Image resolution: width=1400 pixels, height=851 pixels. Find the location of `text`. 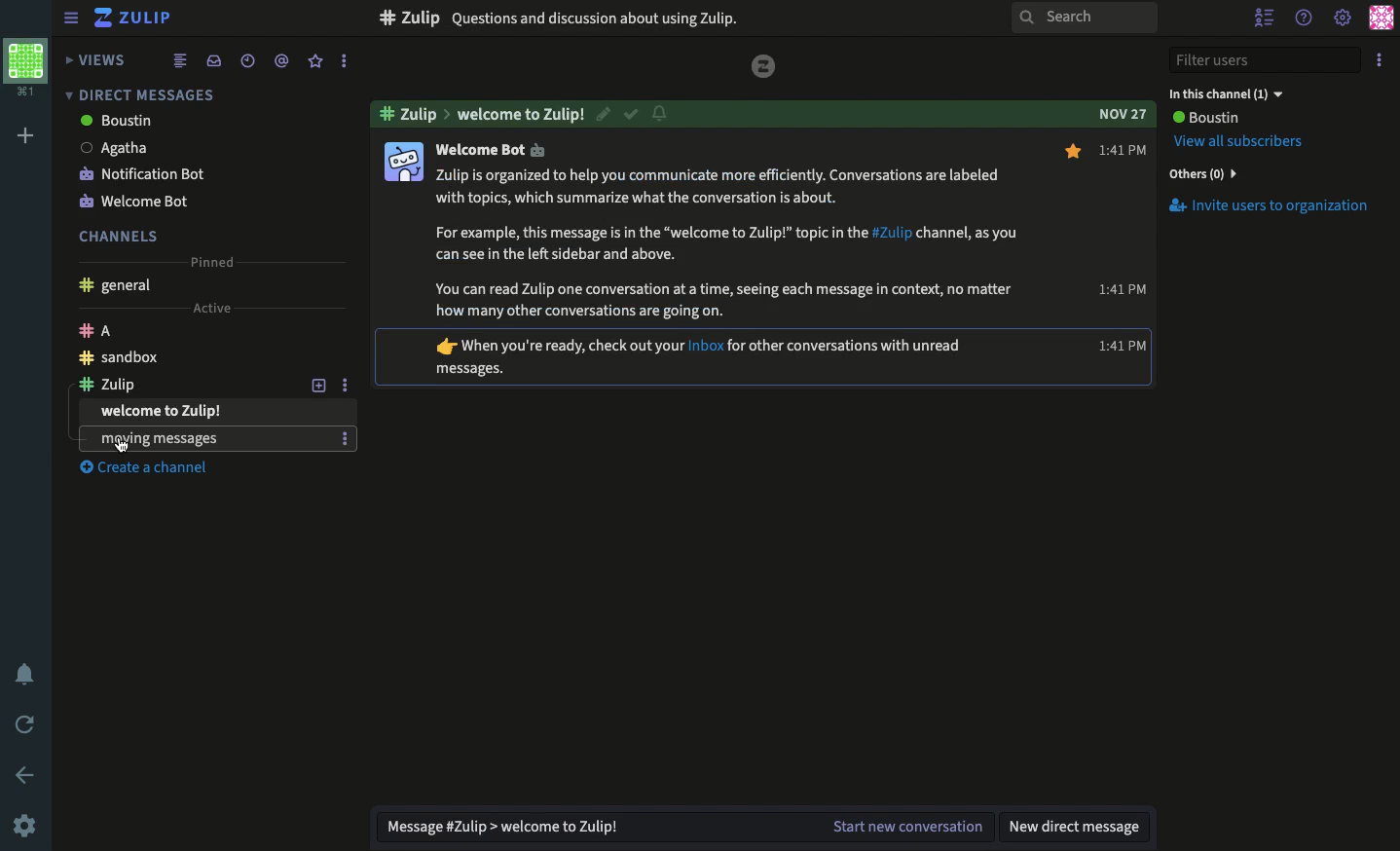

text is located at coordinates (554, 344).